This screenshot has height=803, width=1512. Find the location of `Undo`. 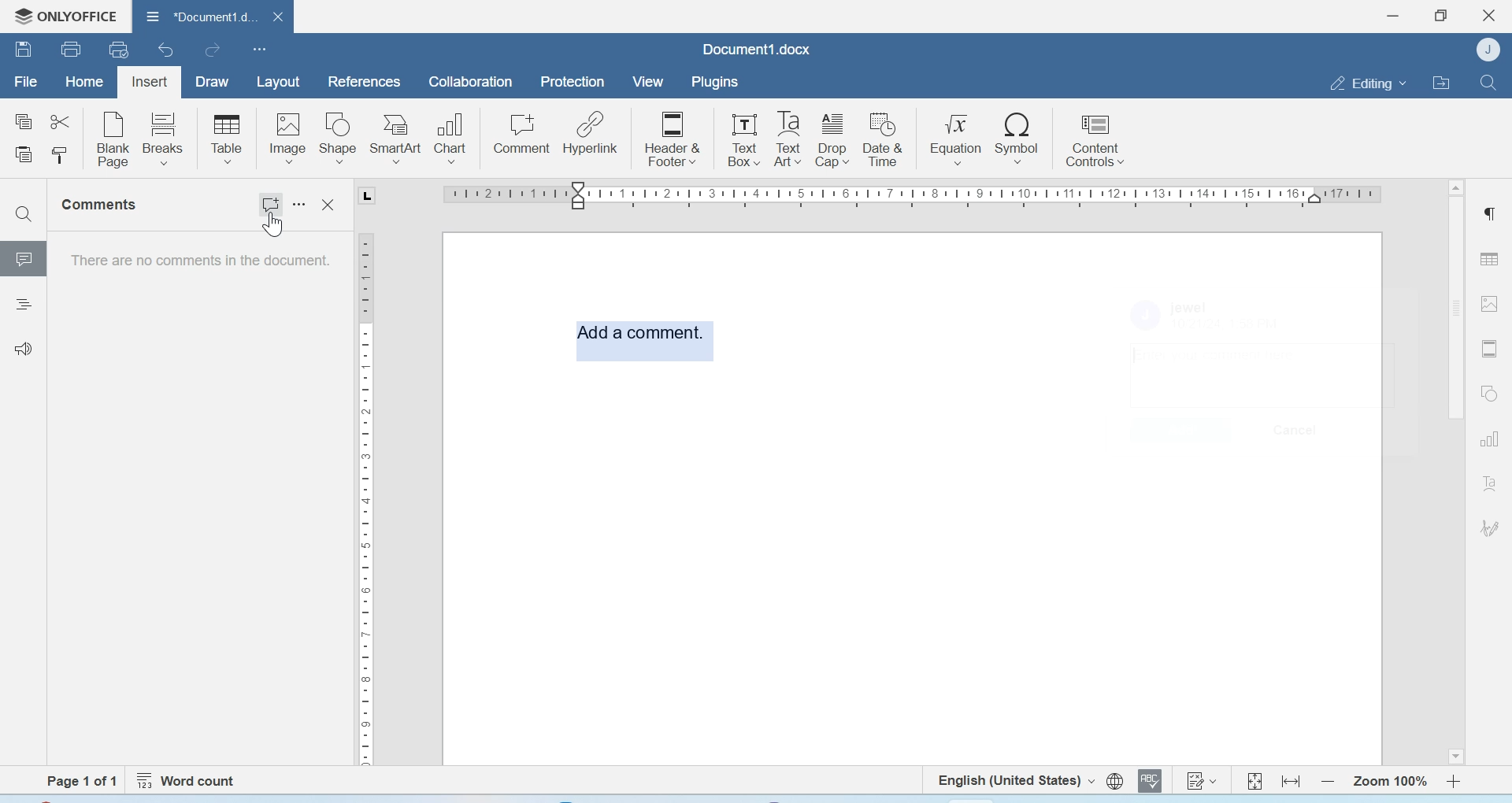

Undo is located at coordinates (168, 50).